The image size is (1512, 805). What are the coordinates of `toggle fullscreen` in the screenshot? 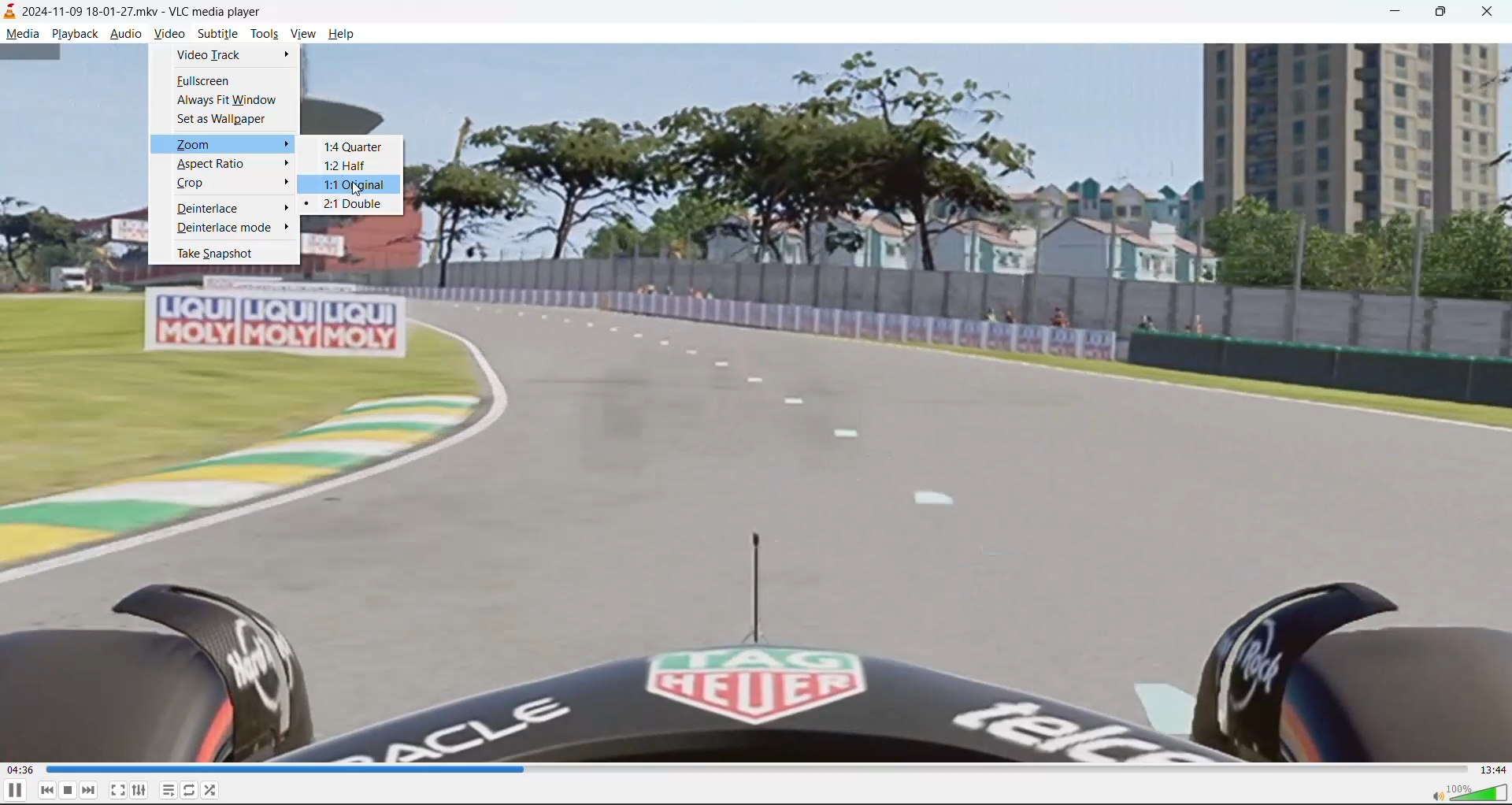 It's located at (117, 790).